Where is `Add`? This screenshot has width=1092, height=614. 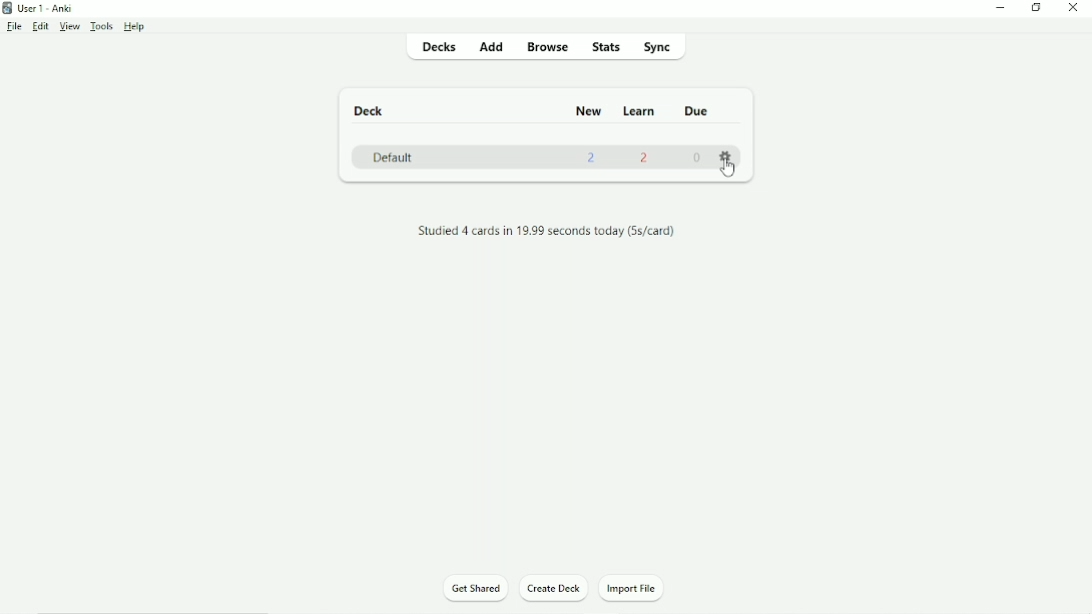
Add is located at coordinates (489, 46).